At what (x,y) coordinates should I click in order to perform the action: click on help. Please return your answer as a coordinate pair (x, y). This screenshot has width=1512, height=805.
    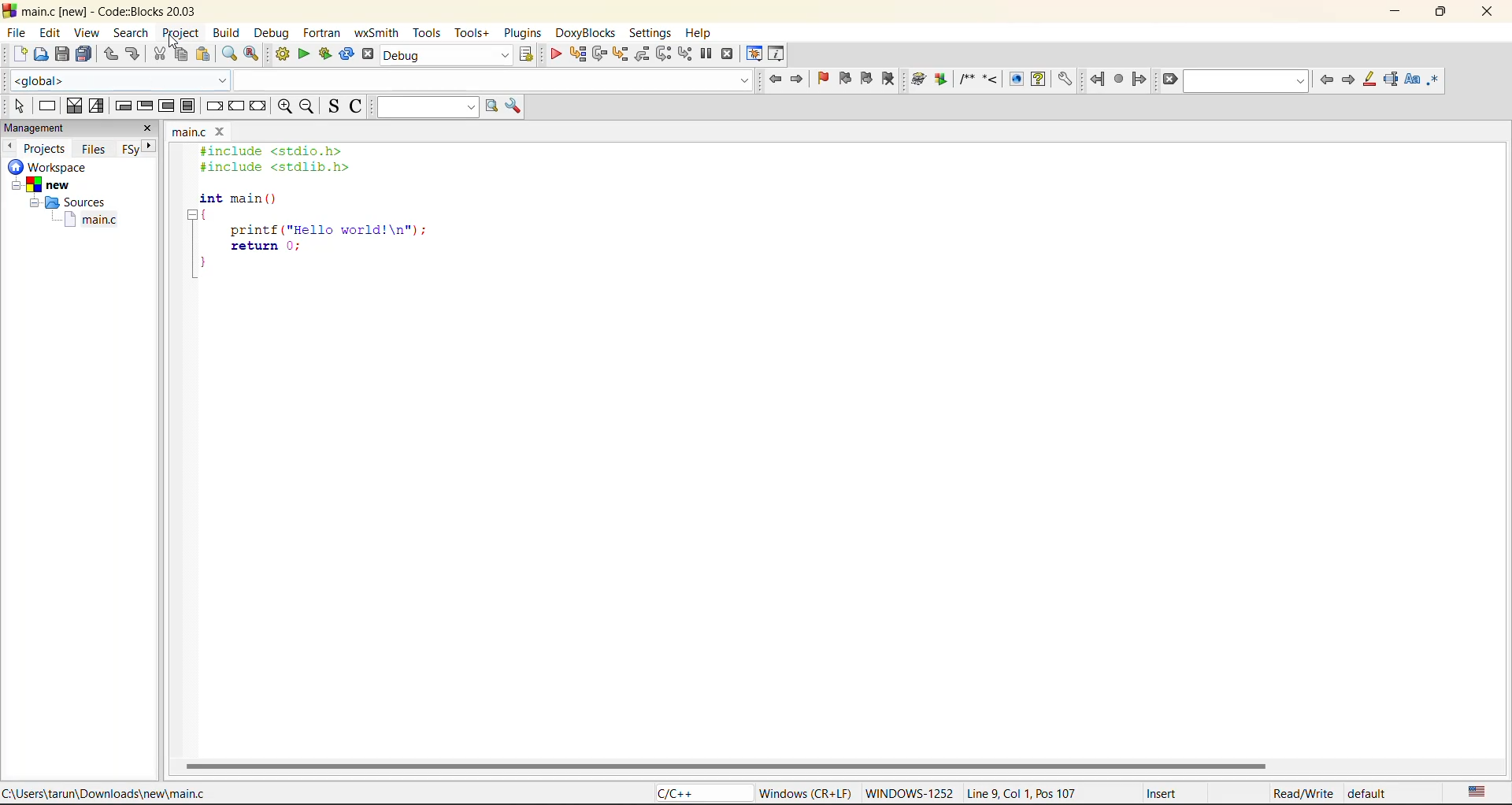
    Looking at the image, I should click on (702, 34).